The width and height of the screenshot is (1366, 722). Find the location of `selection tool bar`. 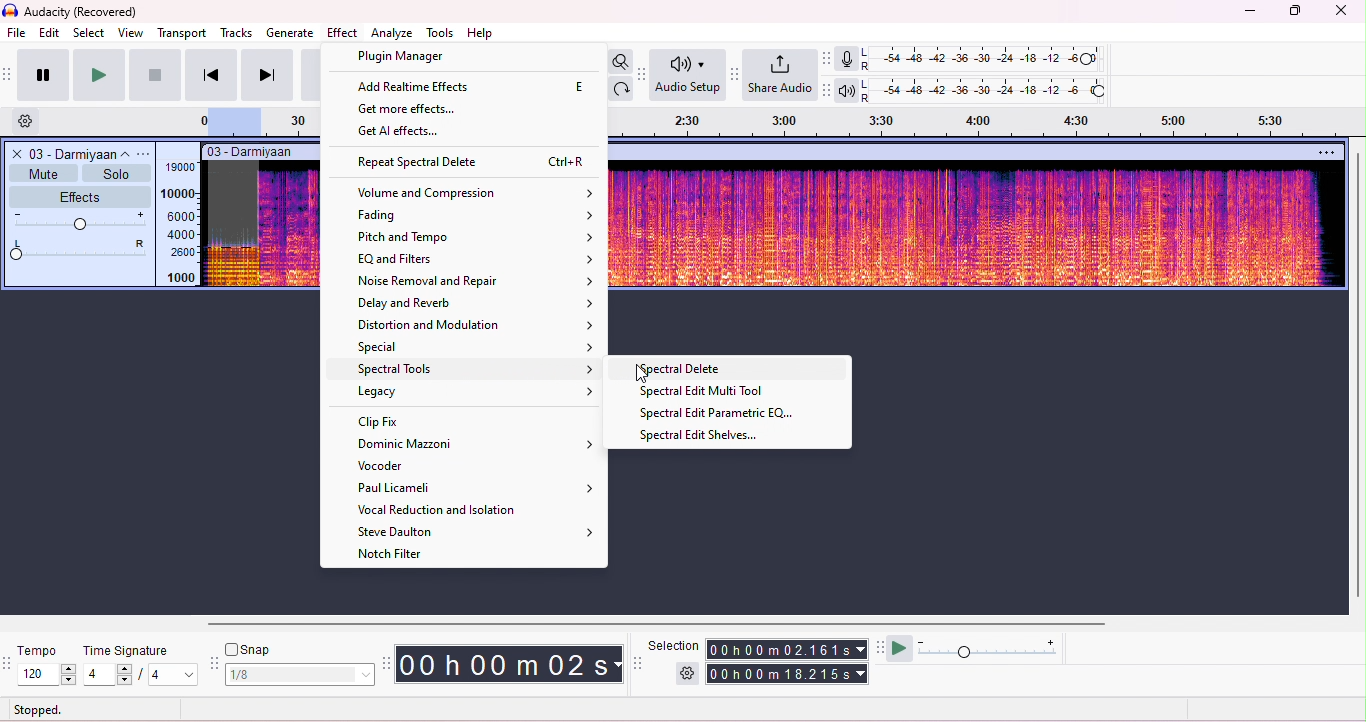

selection tool bar is located at coordinates (638, 663).